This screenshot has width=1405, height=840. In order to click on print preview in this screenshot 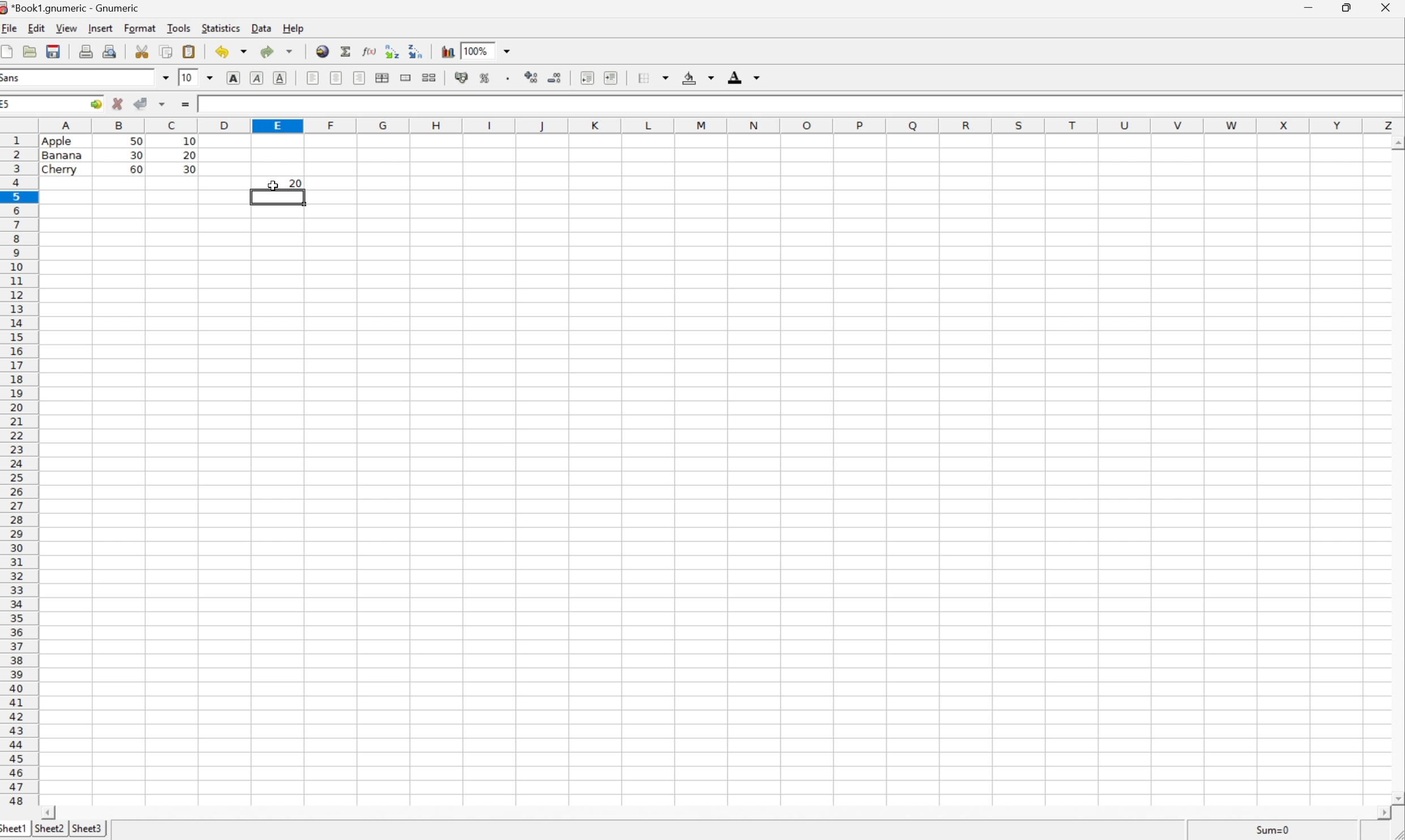, I will do `click(111, 50)`.